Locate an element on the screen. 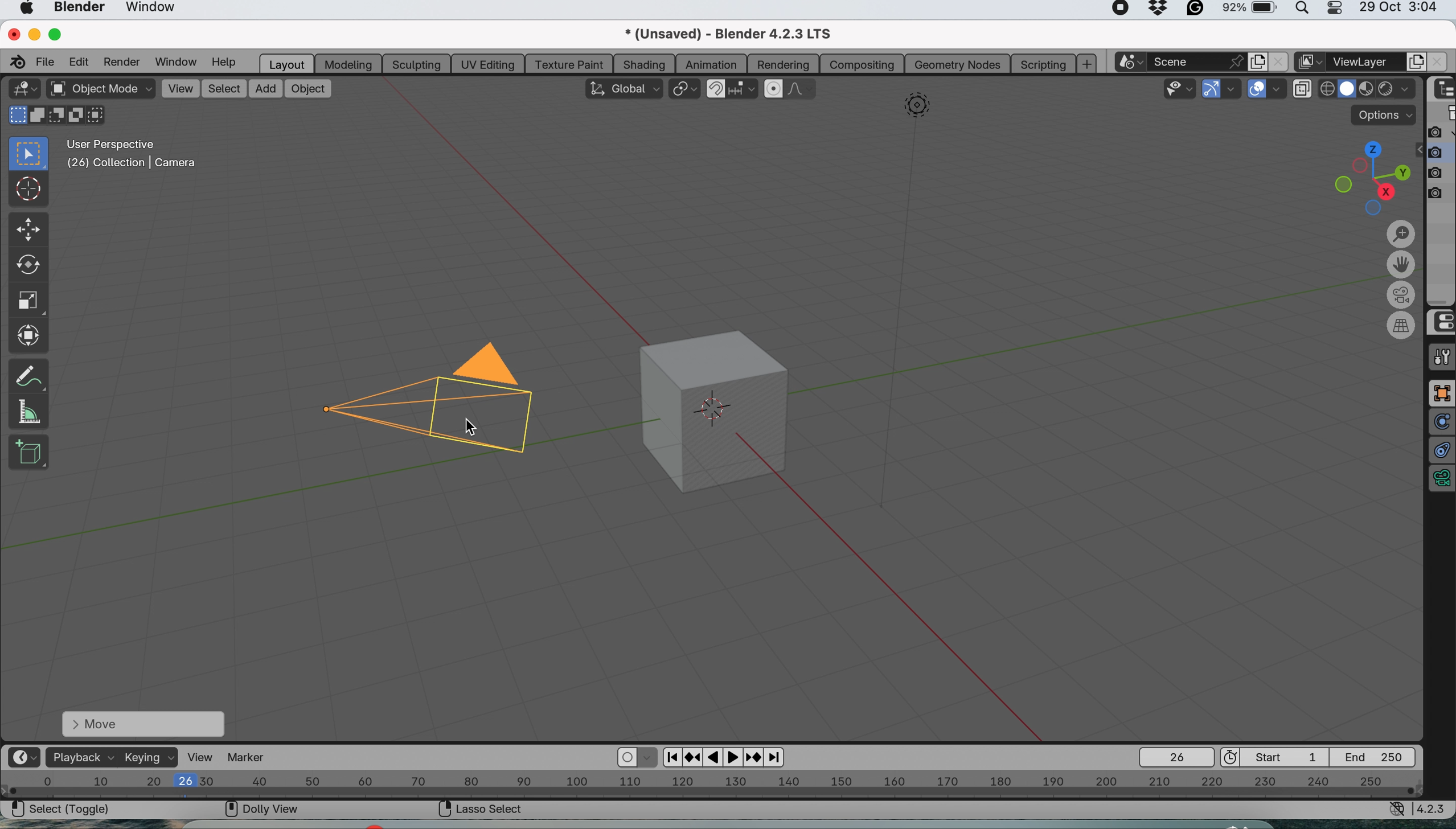 The height and width of the screenshot is (829, 1456). *(Unsaved) - Blend 4.2.3 LTS is located at coordinates (741, 34).